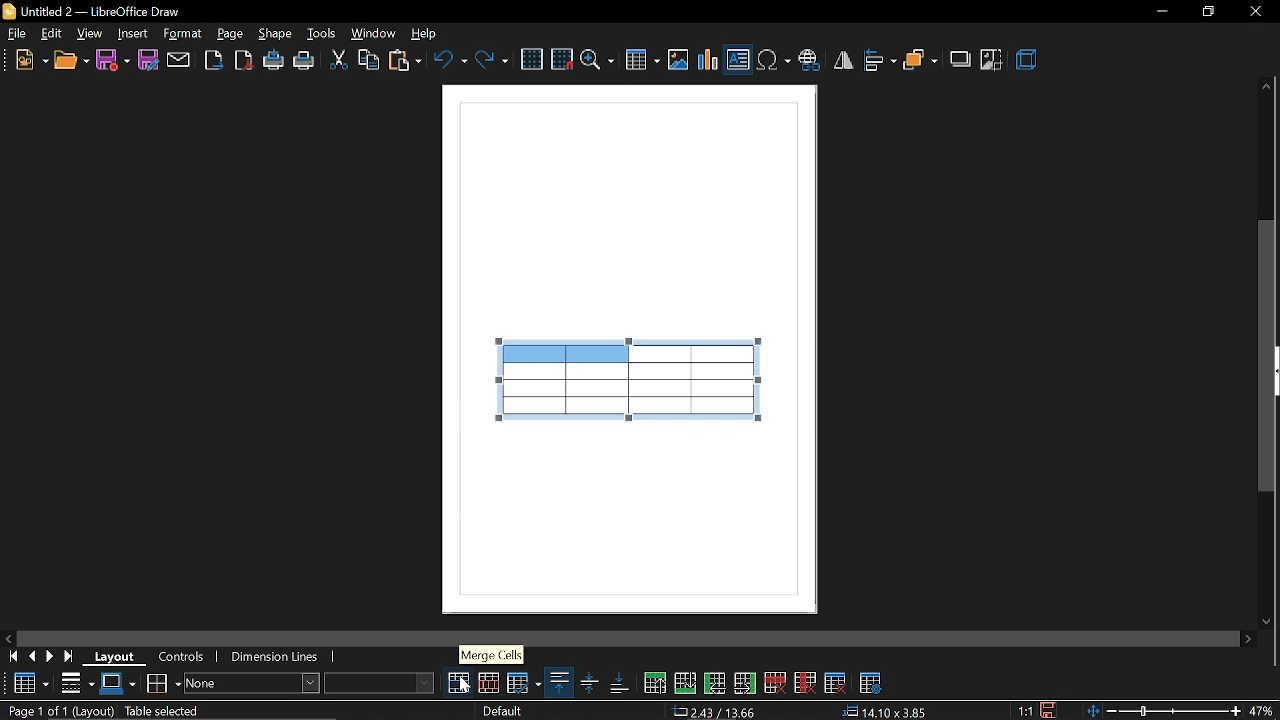  Describe the element at coordinates (718, 712) in the screenshot. I see `2.43/13.66` at that location.